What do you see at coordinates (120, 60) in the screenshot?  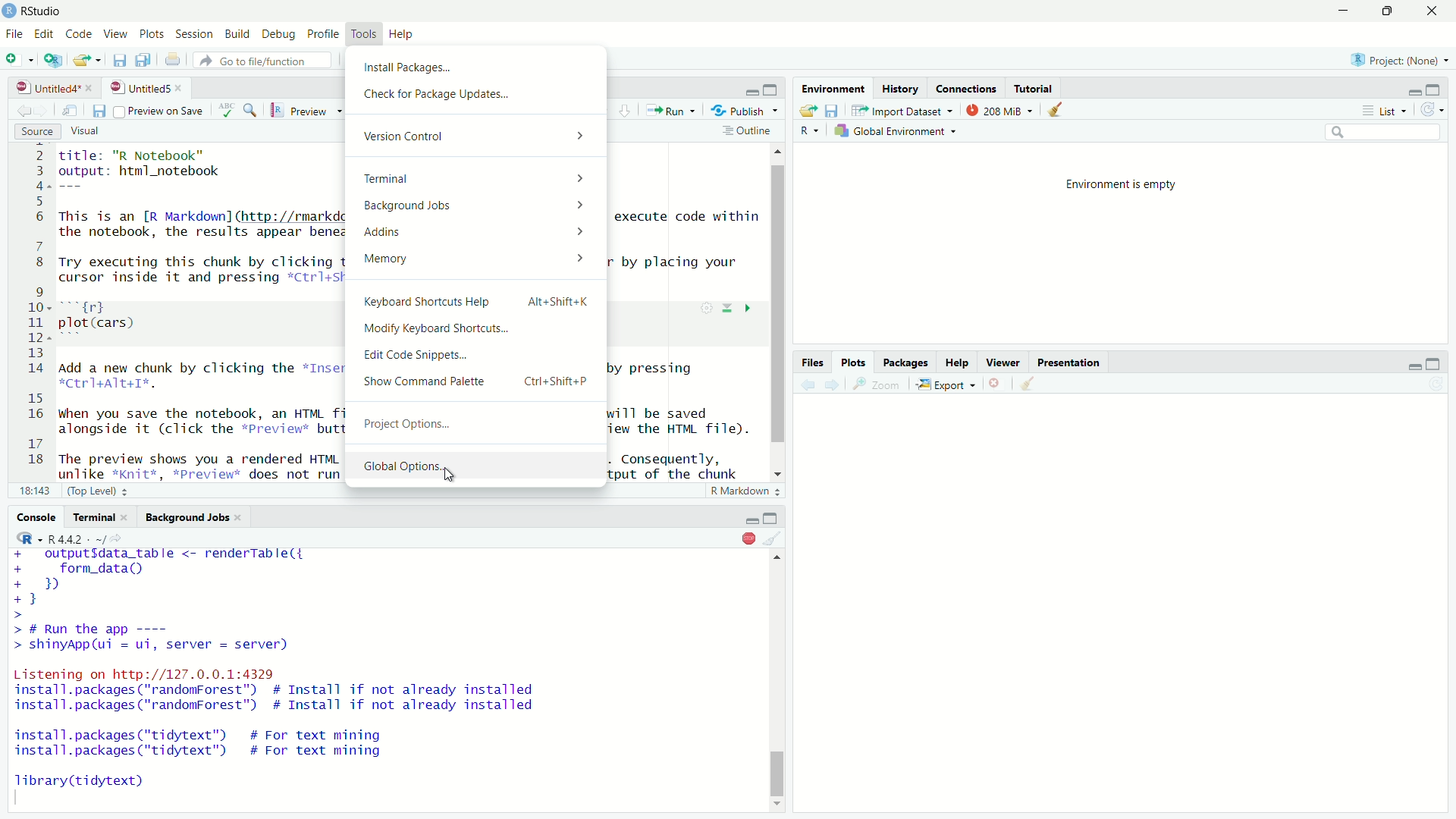 I see `save current document` at bounding box center [120, 60].